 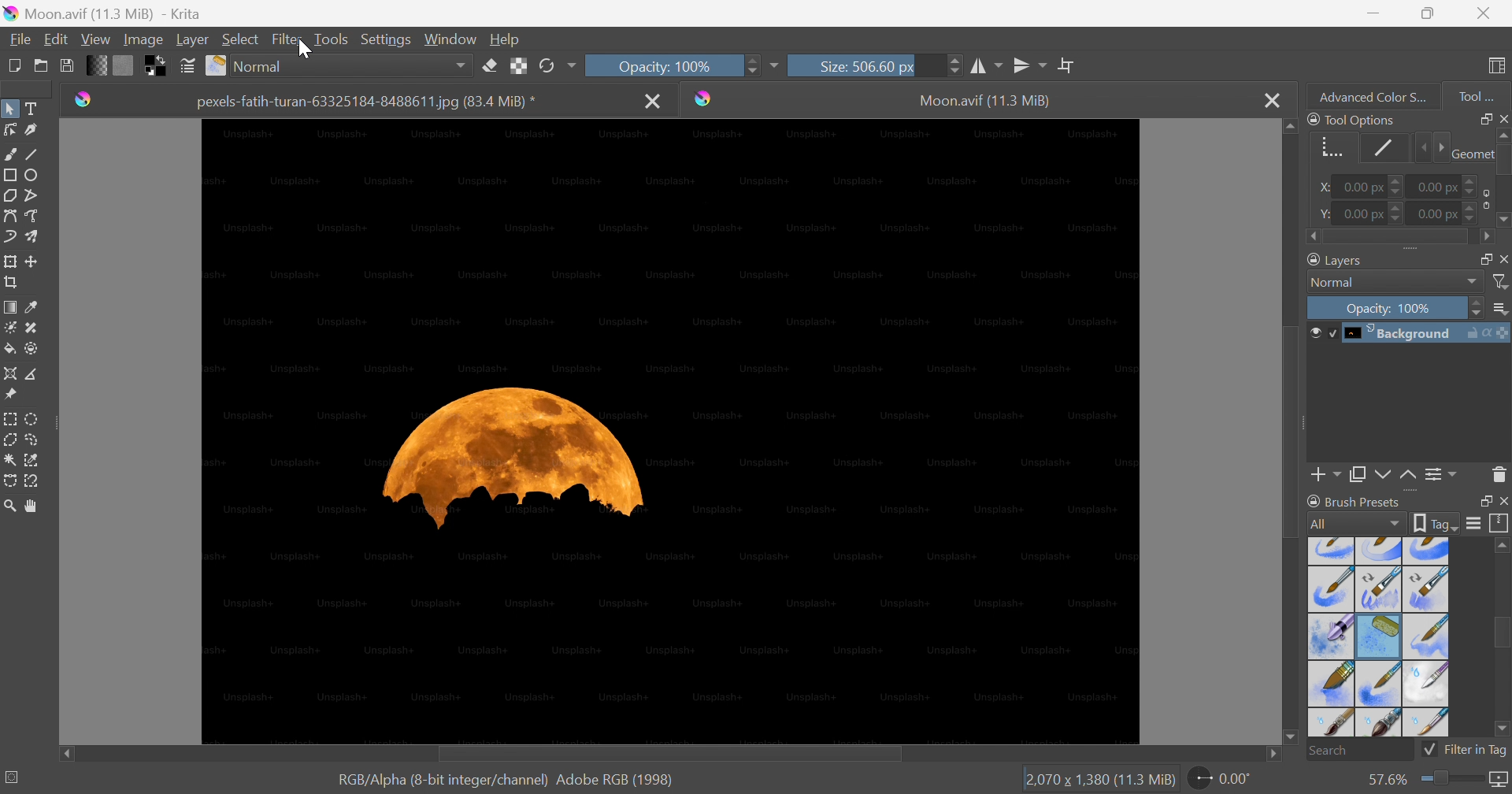 I want to click on Colorize mask tool, so click(x=9, y=328).